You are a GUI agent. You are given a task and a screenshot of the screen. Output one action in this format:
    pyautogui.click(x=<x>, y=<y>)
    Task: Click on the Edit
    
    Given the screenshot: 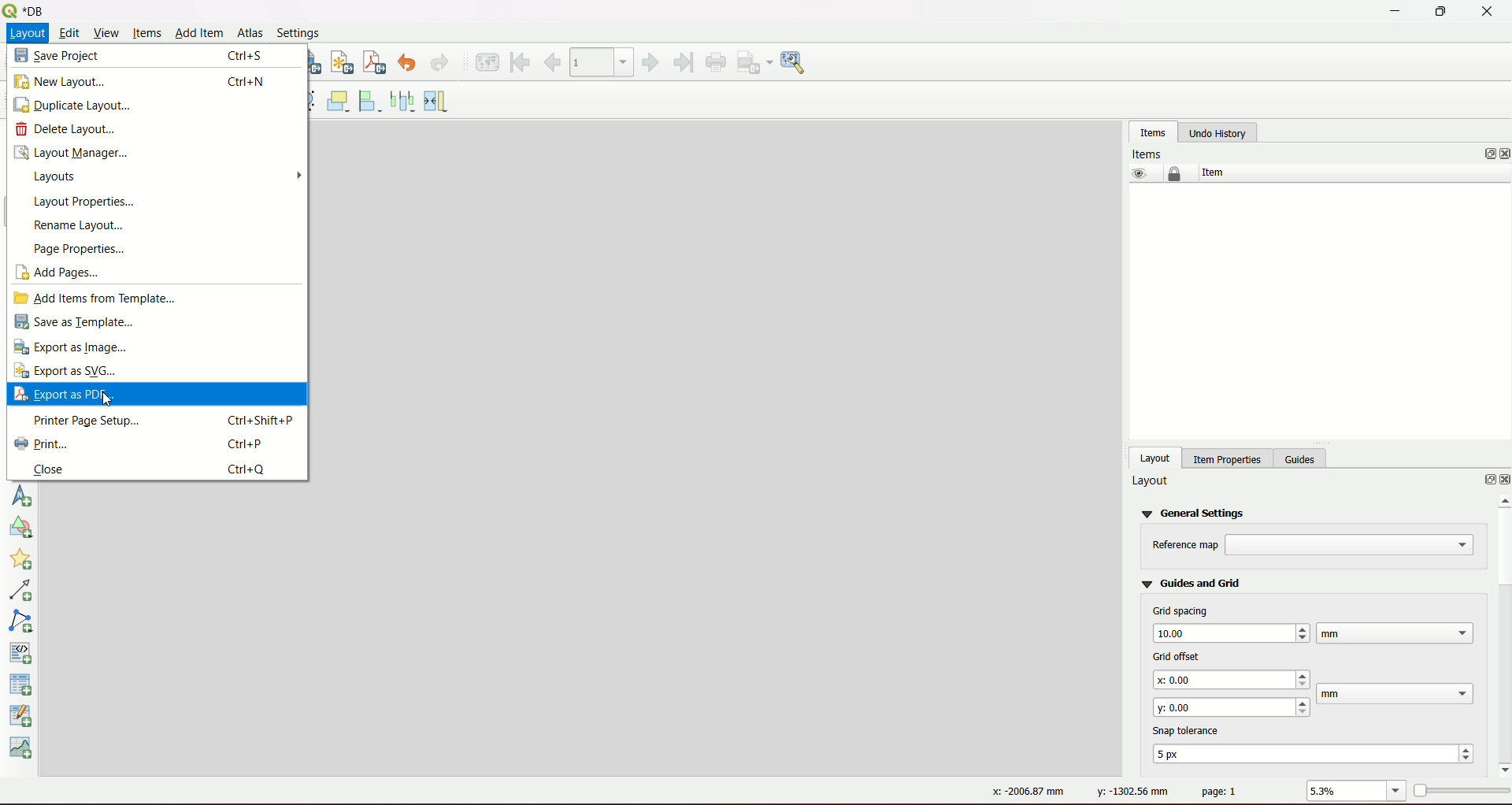 What is the action you would take?
    pyautogui.click(x=69, y=35)
    